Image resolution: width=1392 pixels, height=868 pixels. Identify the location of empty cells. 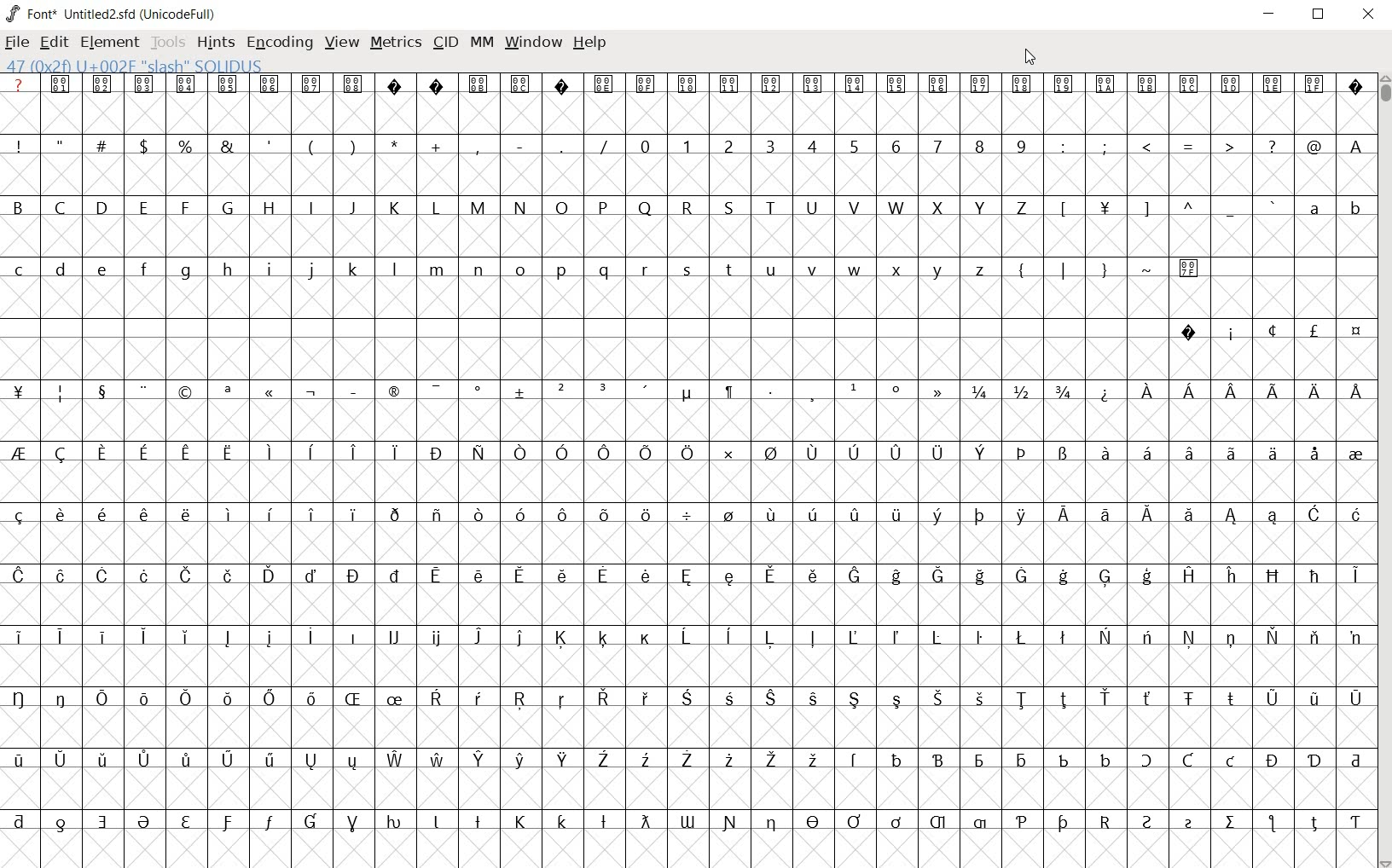
(689, 605).